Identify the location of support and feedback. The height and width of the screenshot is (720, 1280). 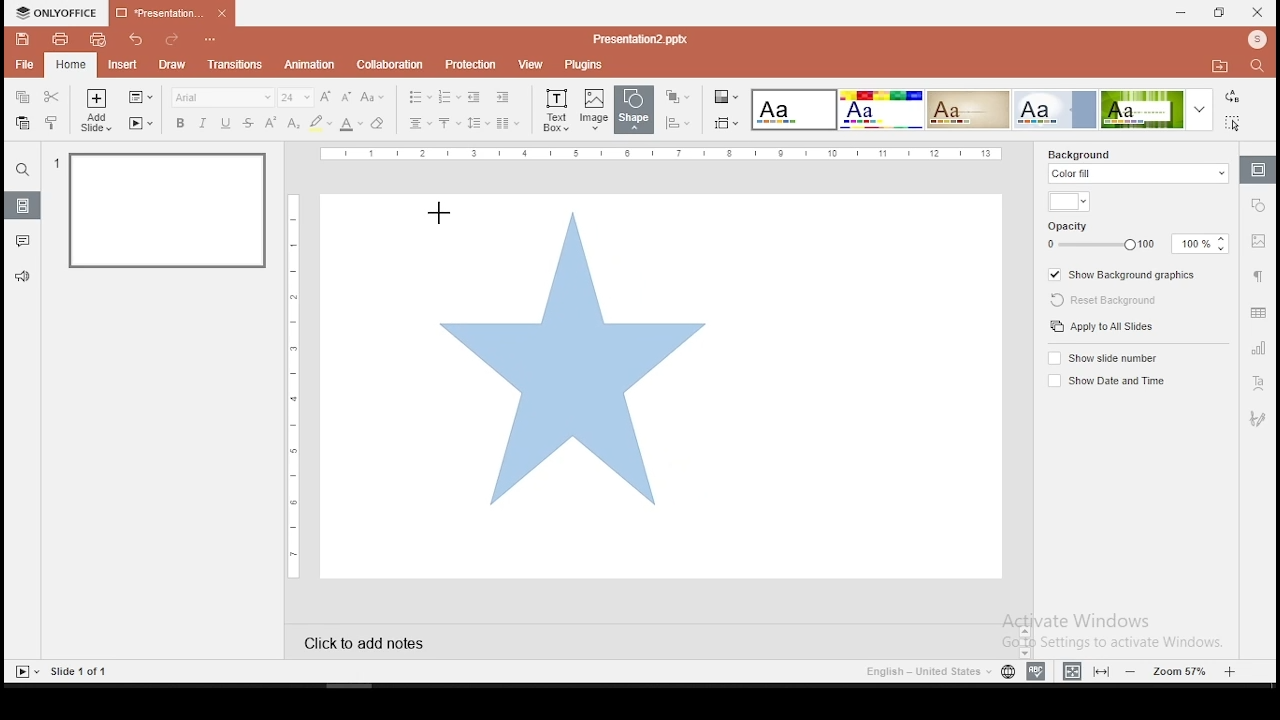
(23, 277).